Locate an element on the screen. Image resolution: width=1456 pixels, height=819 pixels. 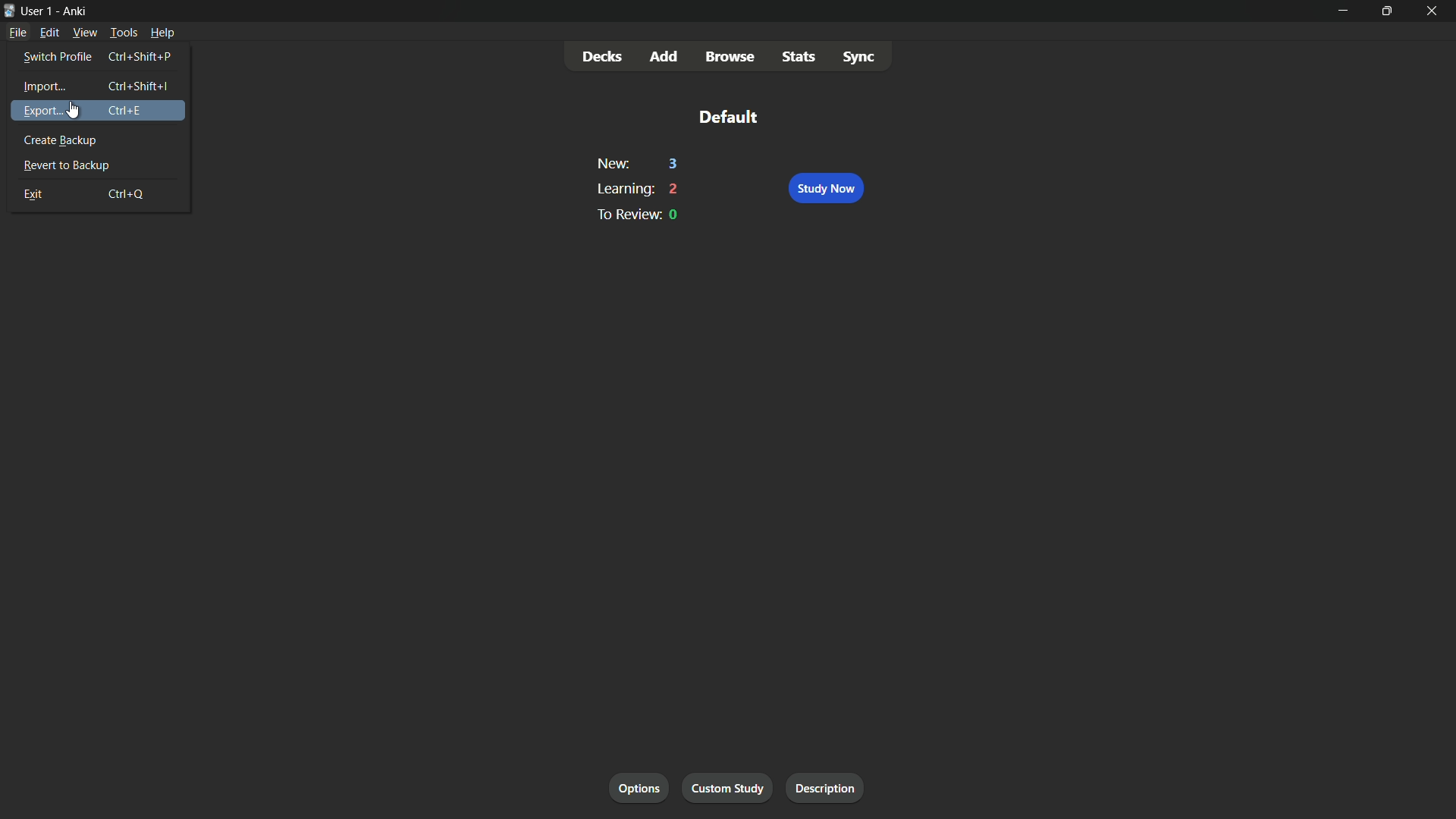
keyboard shortcut is located at coordinates (138, 87).